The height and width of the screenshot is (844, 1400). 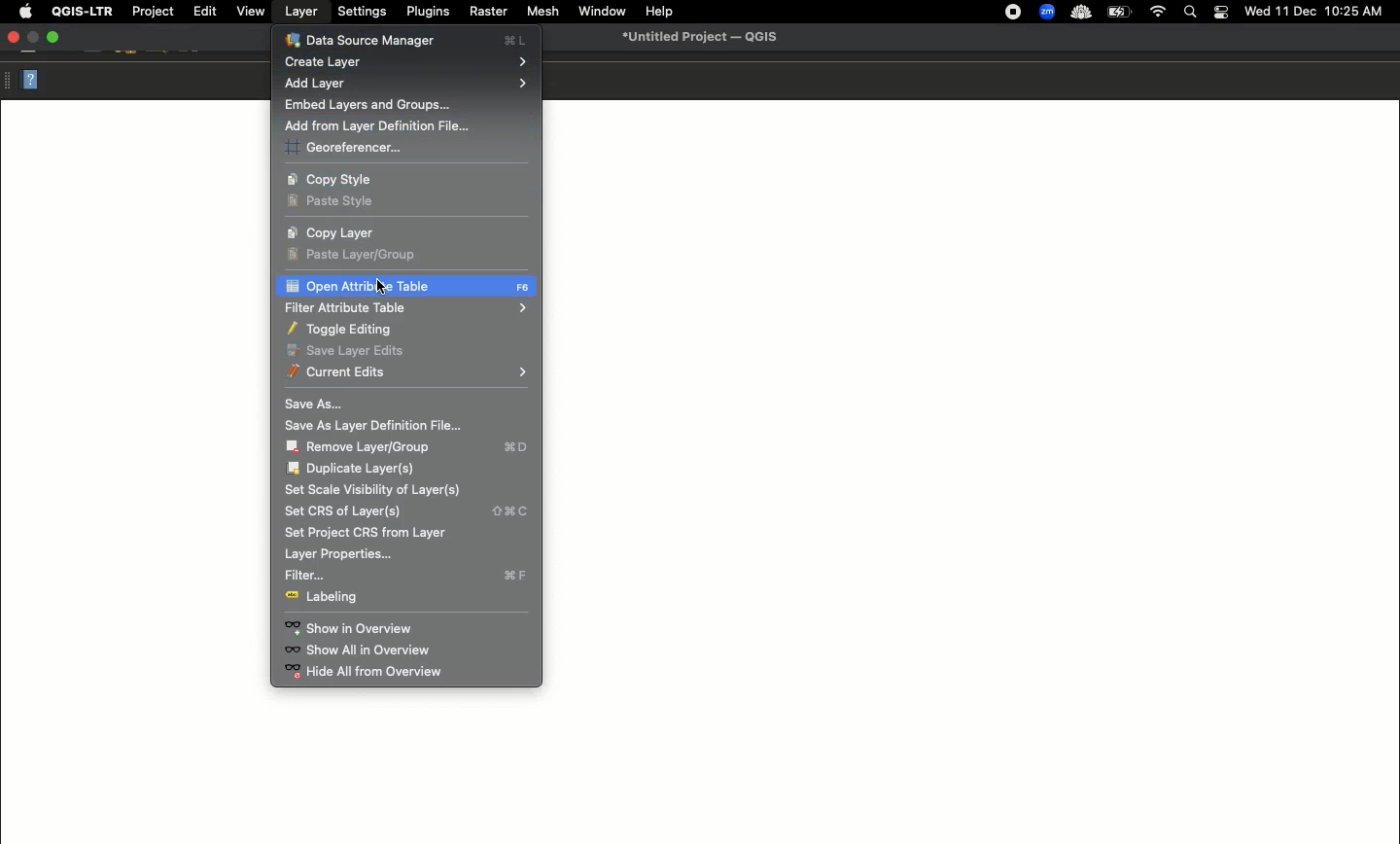 I want to click on cloud, so click(x=1079, y=11).